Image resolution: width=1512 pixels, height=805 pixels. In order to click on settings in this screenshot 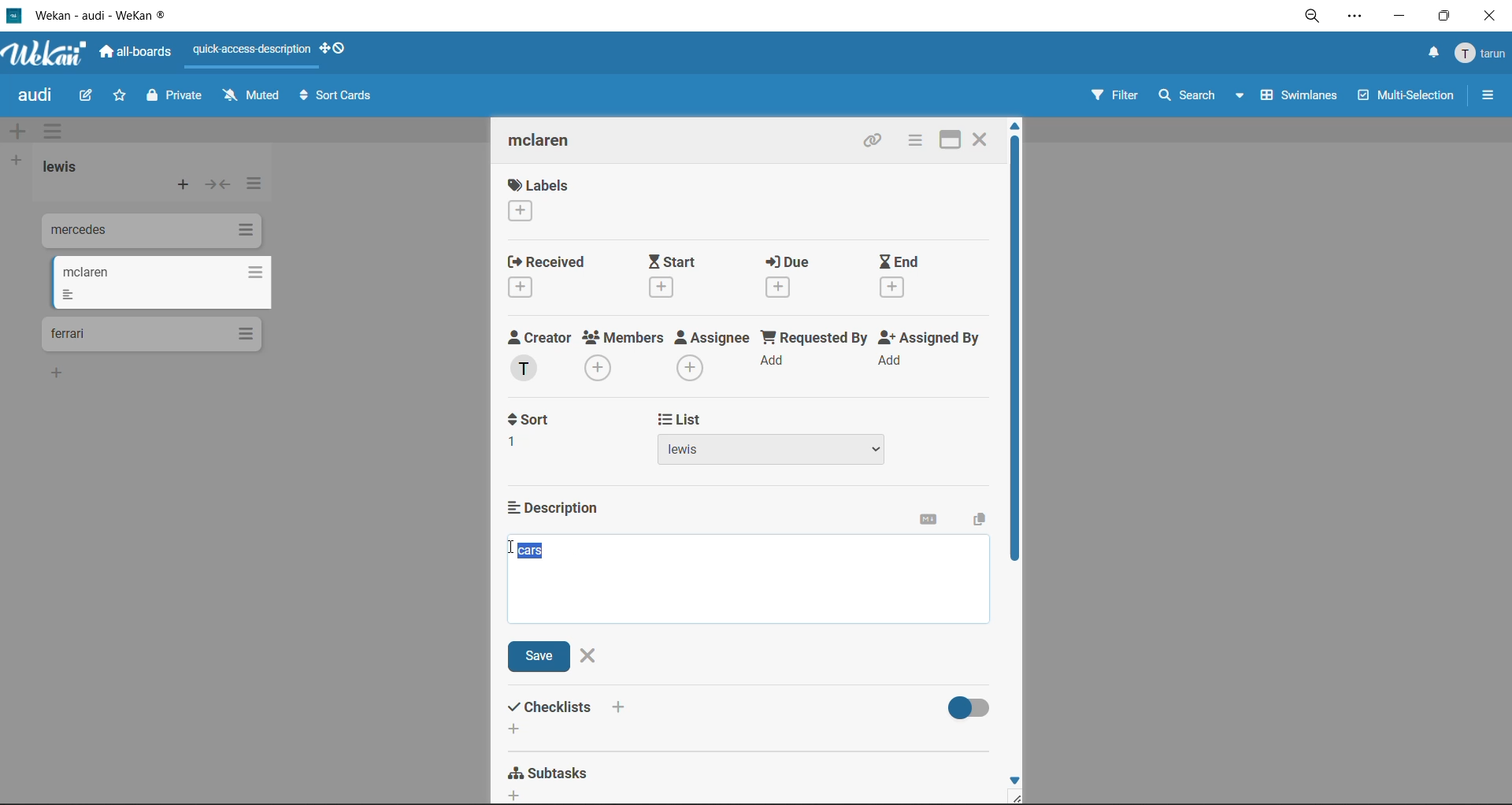, I will do `click(1354, 18)`.